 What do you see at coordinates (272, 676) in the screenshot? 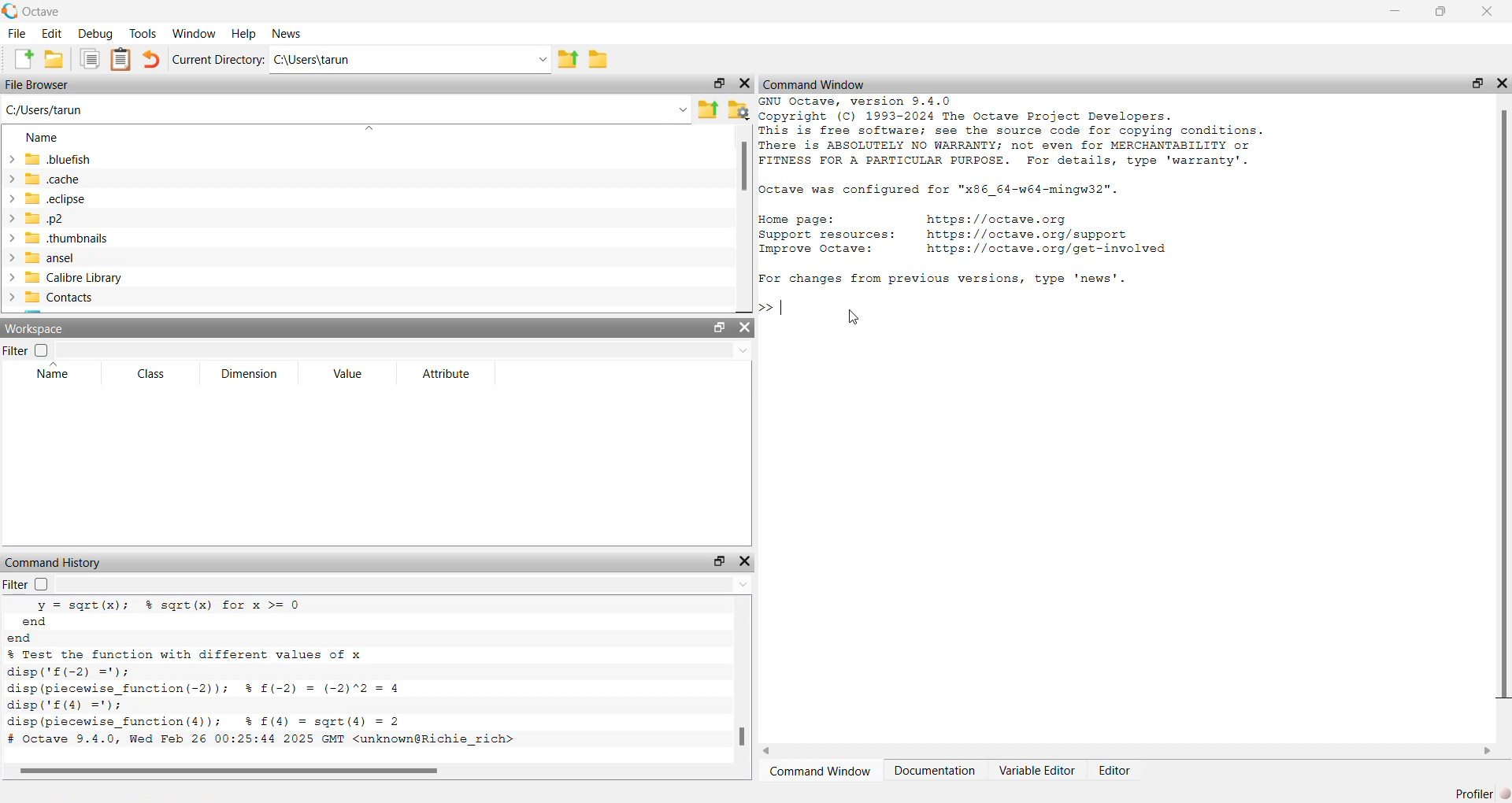
I see `y = sqrt(x); % sqrt(x) for x >= 0

end
end
$ Test the function with different values of x
disp('£(-2) =");
disp (piecewise_function(-2)); $ £(-2) = (-2)"2 = 4
disp('£(4) =");
disp (piecewise_function(4)); % £(4) = sgrt(4) = 2
# Octave 9.4.0, Wed Feb 26 00:25:44 2025 GMT <unknown@Richie_rich>` at bounding box center [272, 676].